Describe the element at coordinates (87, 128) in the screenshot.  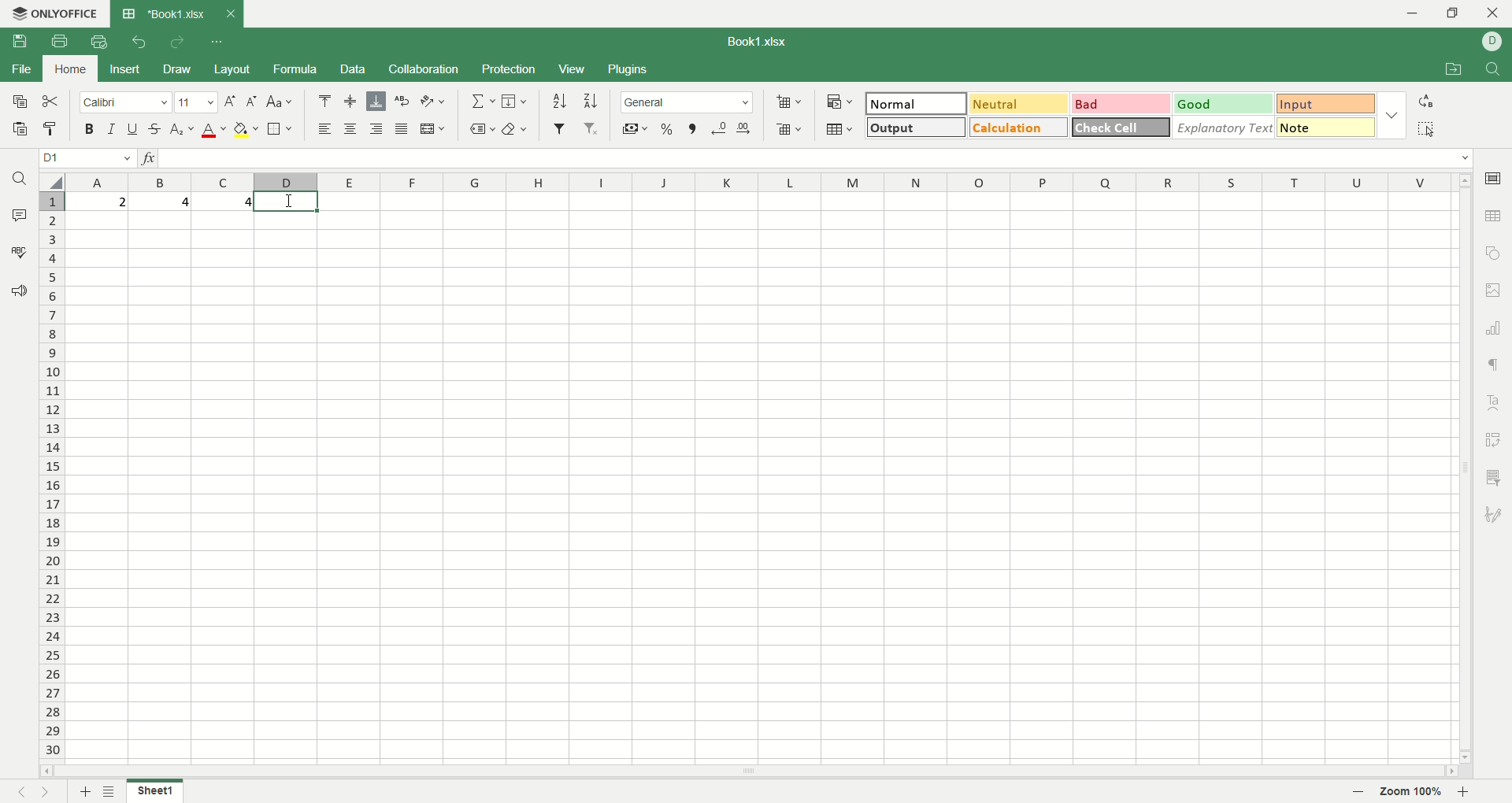
I see `bold` at that location.